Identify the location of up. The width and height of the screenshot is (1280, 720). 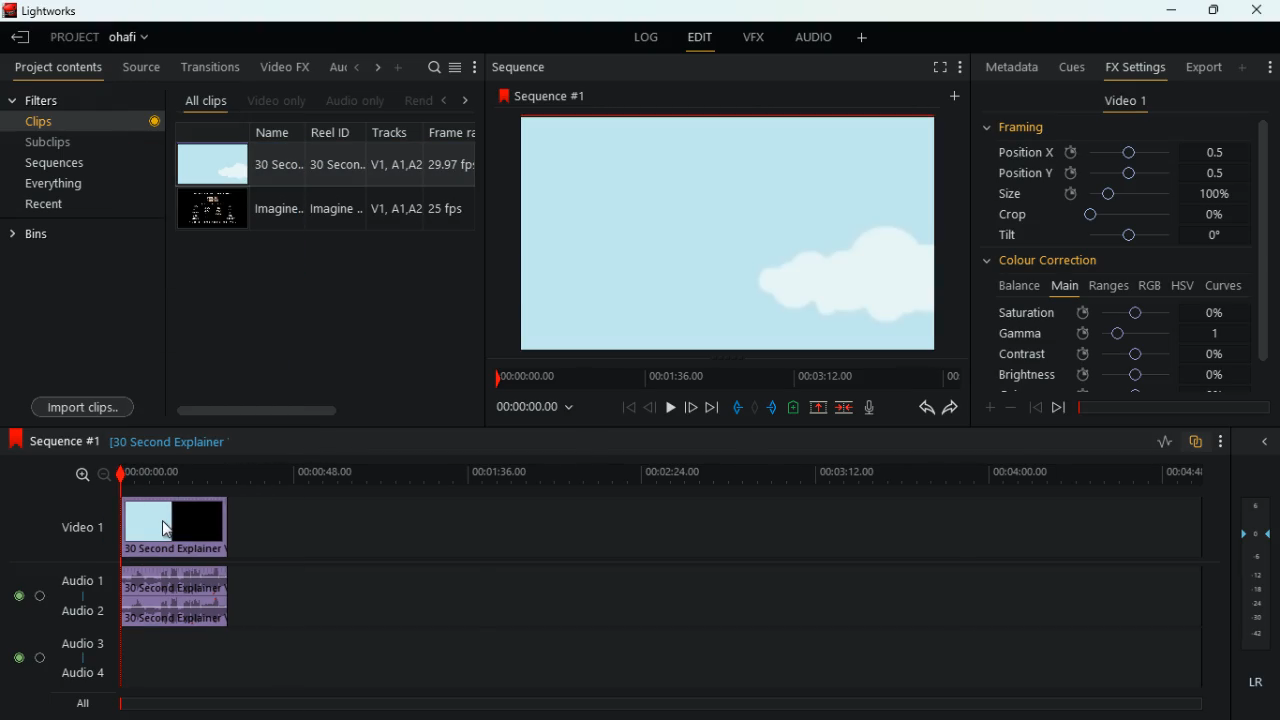
(820, 407).